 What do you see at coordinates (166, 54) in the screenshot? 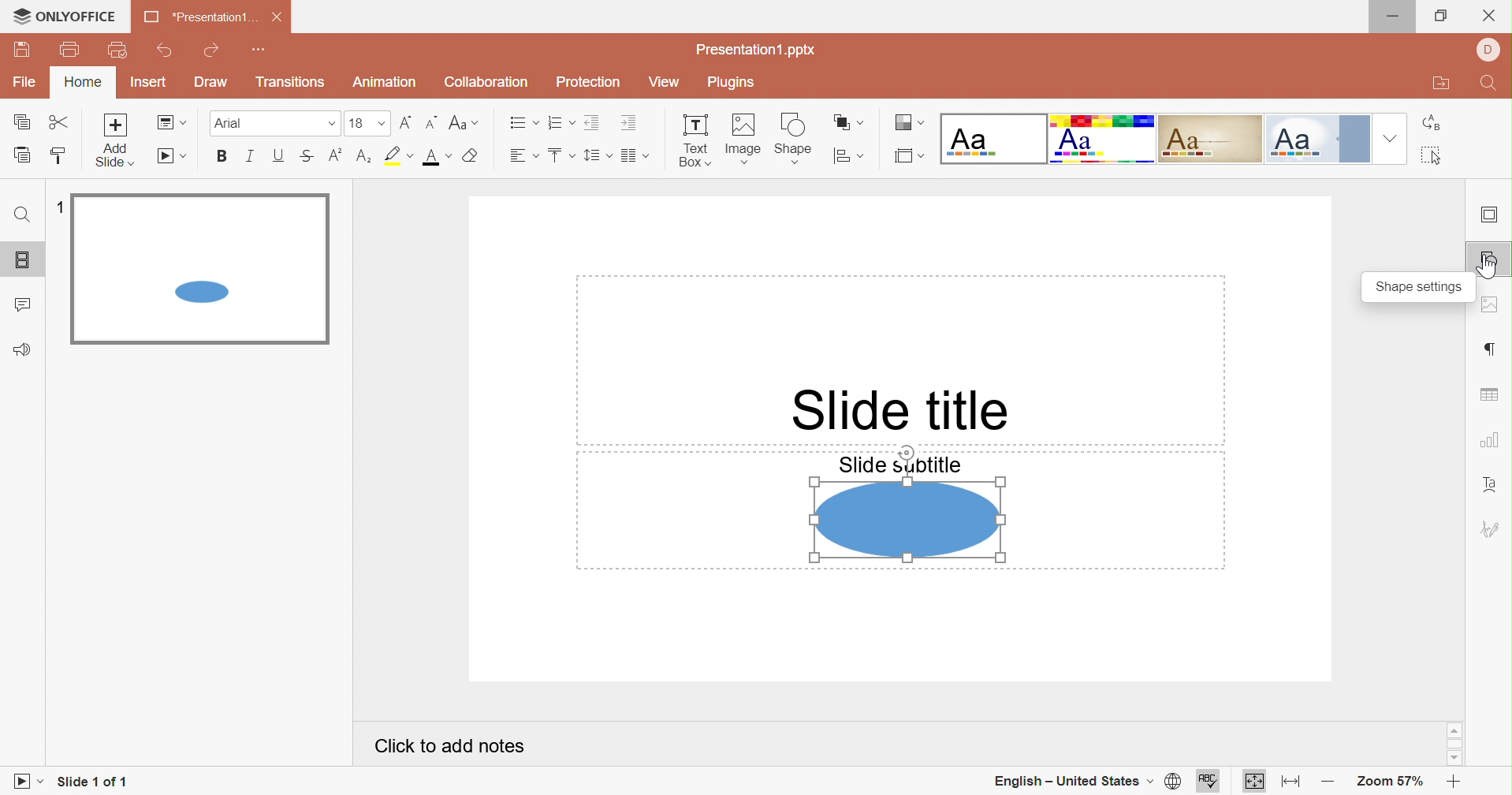
I see `Undo` at bounding box center [166, 54].